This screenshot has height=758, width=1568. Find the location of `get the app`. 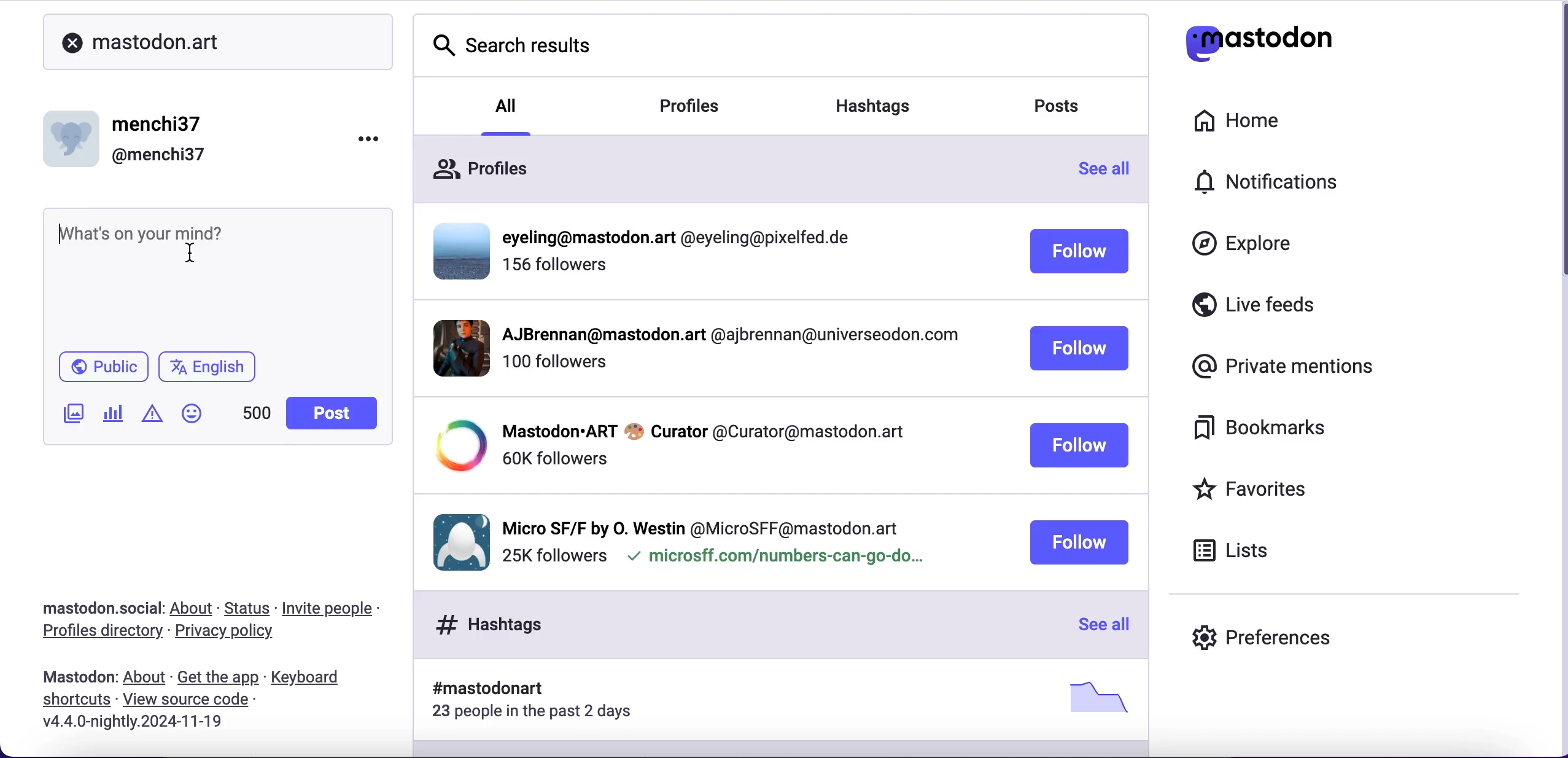

get the app is located at coordinates (219, 677).